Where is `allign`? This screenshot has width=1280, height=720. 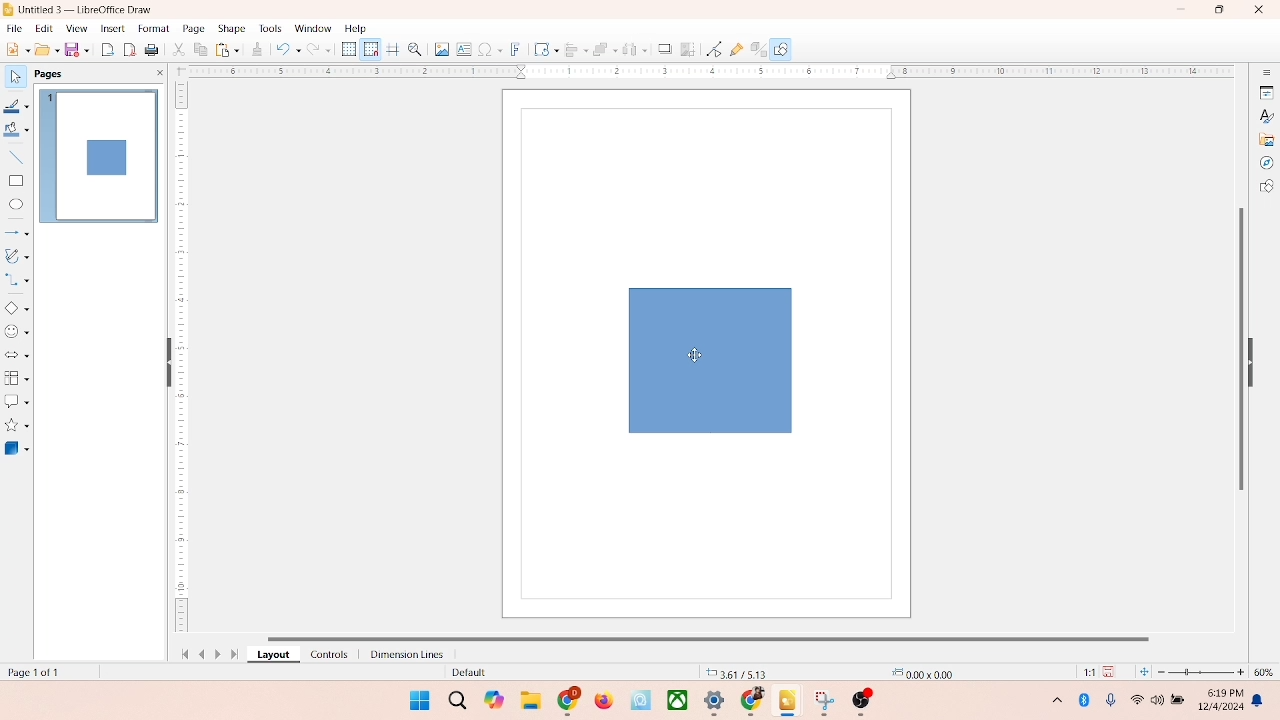
allign is located at coordinates (572, 47).